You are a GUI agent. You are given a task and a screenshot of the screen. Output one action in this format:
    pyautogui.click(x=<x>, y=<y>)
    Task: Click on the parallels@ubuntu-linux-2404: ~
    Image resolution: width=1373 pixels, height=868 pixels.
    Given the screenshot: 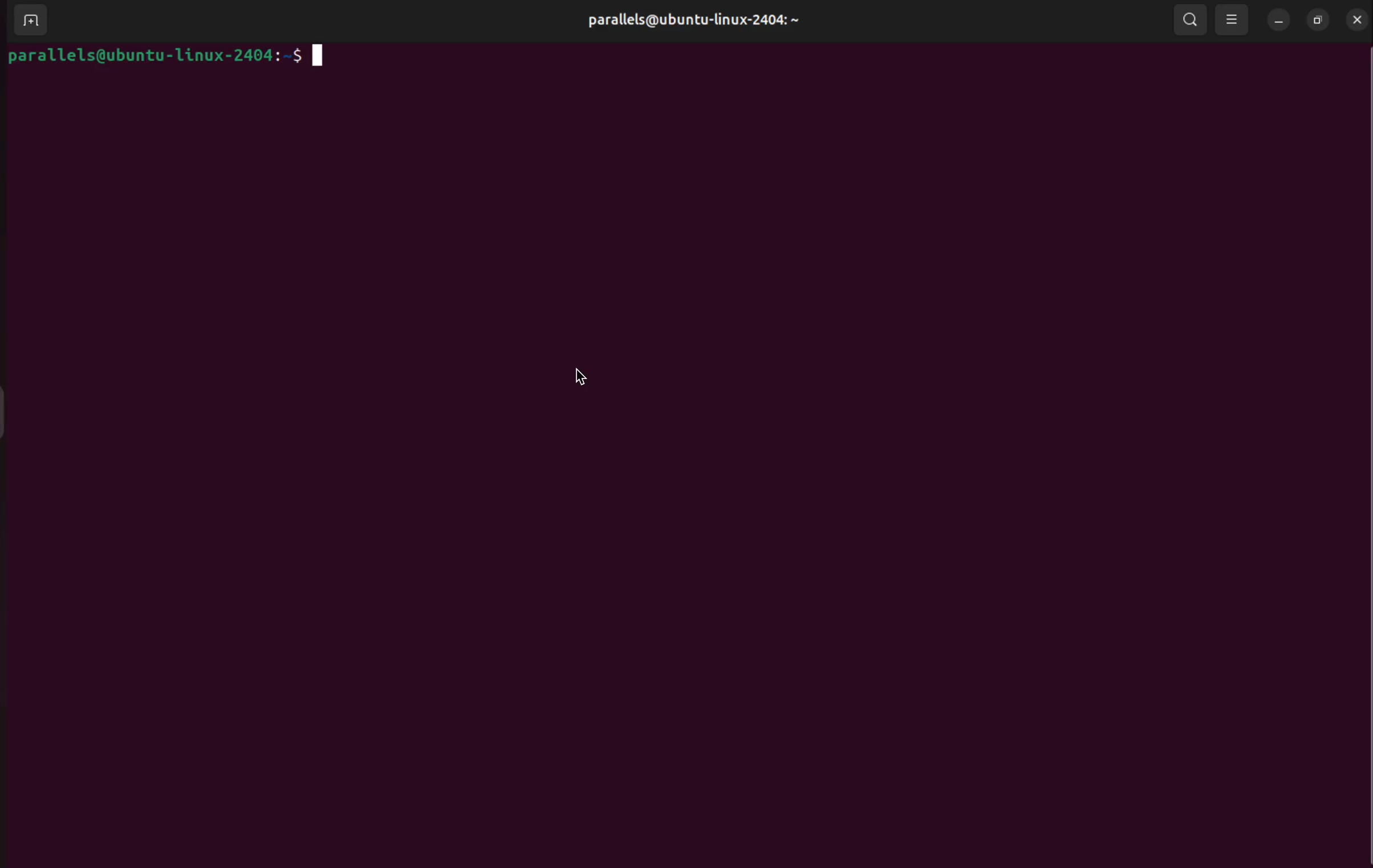 What is the action you would take?
    pyautogui.click(x=697, y=26)
    